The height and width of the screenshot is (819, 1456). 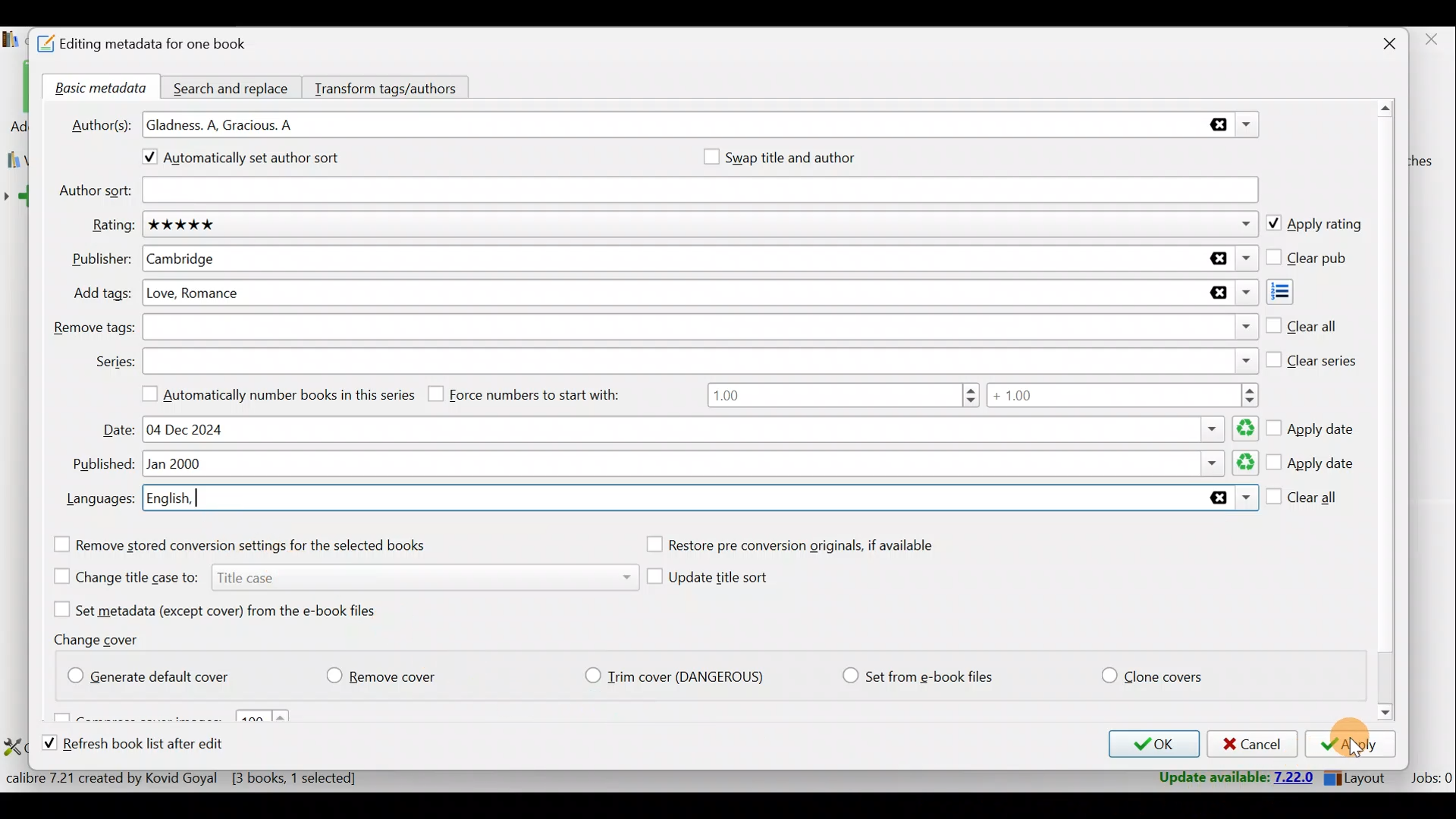 I want to click on Author sort, so click(x=699, y=191).